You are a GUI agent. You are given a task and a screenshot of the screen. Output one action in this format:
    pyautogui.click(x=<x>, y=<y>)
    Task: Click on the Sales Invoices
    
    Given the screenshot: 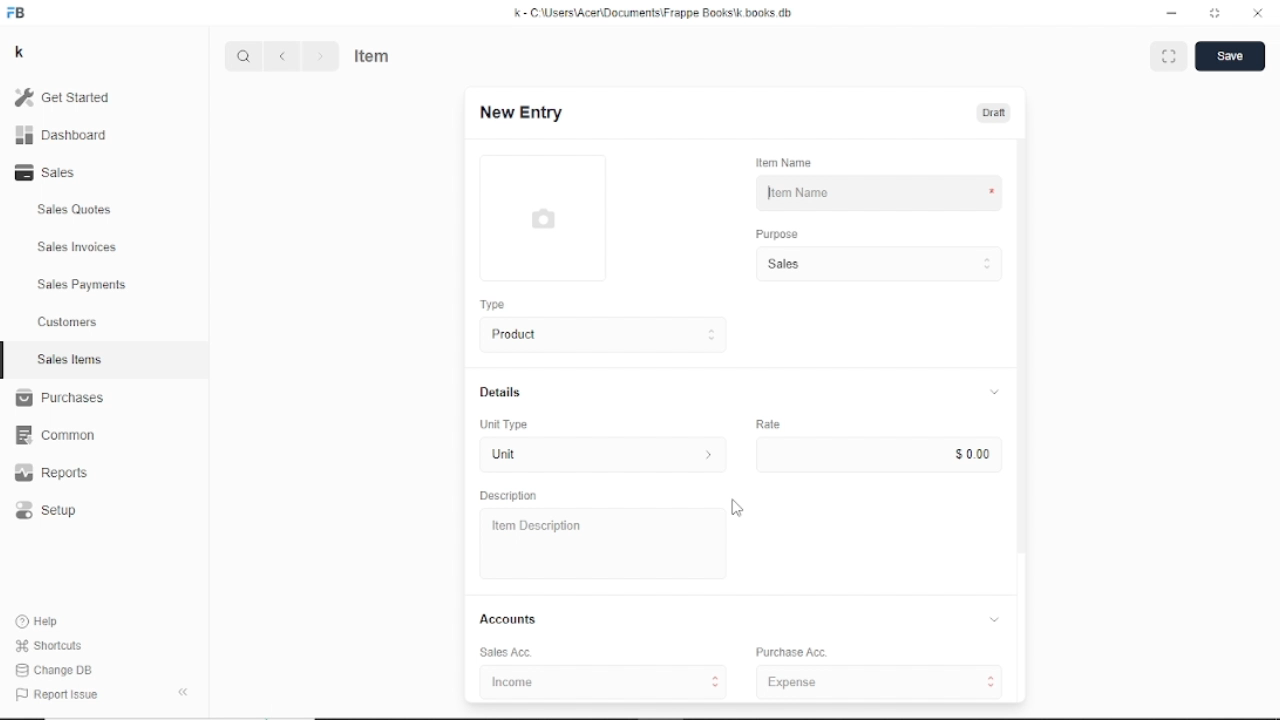 What is the action you would take?
    pyautogui.click(x=77, y=248)
    